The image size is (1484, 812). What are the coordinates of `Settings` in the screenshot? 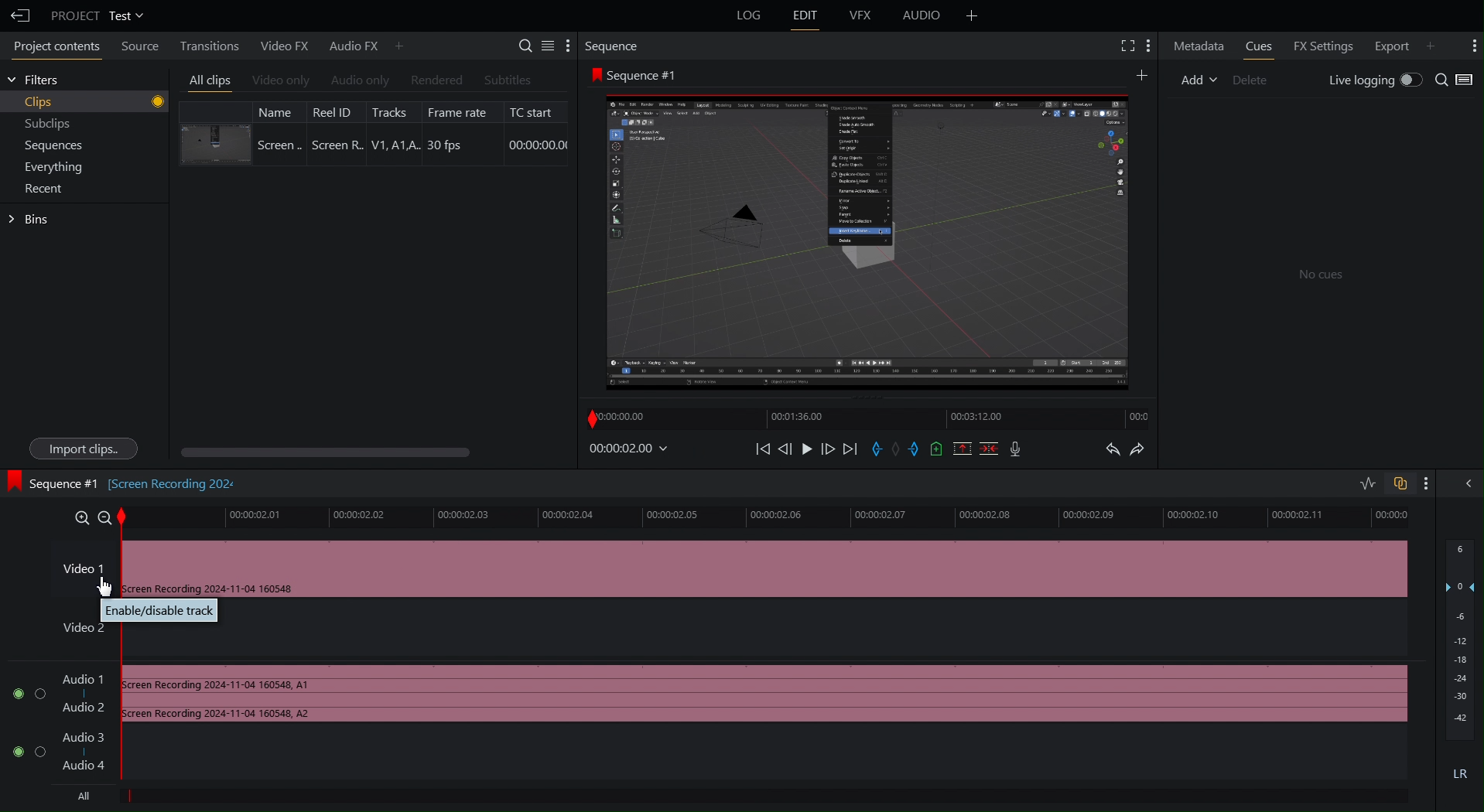 It's located at (542, 47).